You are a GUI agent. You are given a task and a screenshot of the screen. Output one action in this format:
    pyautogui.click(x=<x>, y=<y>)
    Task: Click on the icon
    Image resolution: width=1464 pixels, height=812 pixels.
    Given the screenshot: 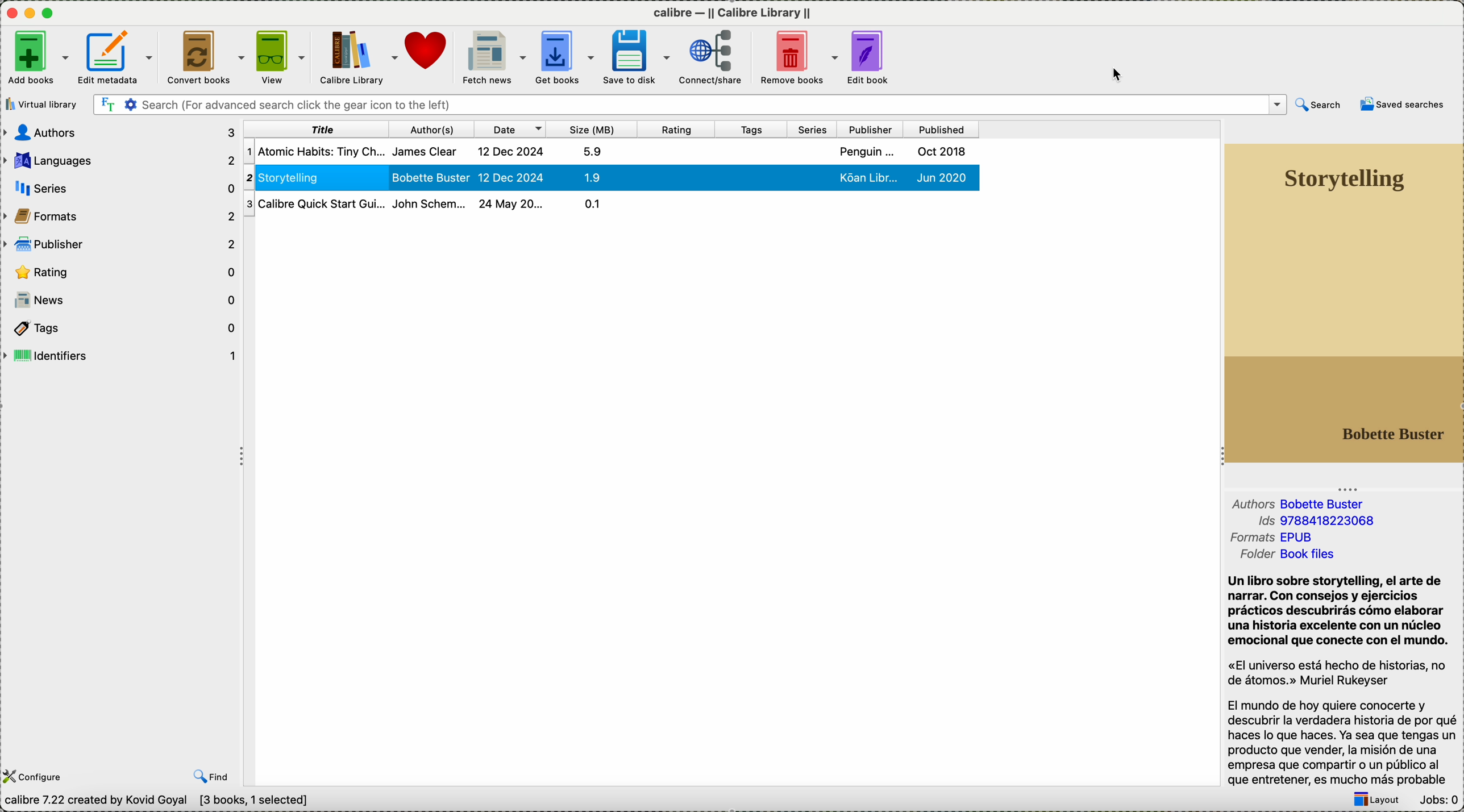 What is the action you would take?
    pyautogui.click(x=30, y=14)
    